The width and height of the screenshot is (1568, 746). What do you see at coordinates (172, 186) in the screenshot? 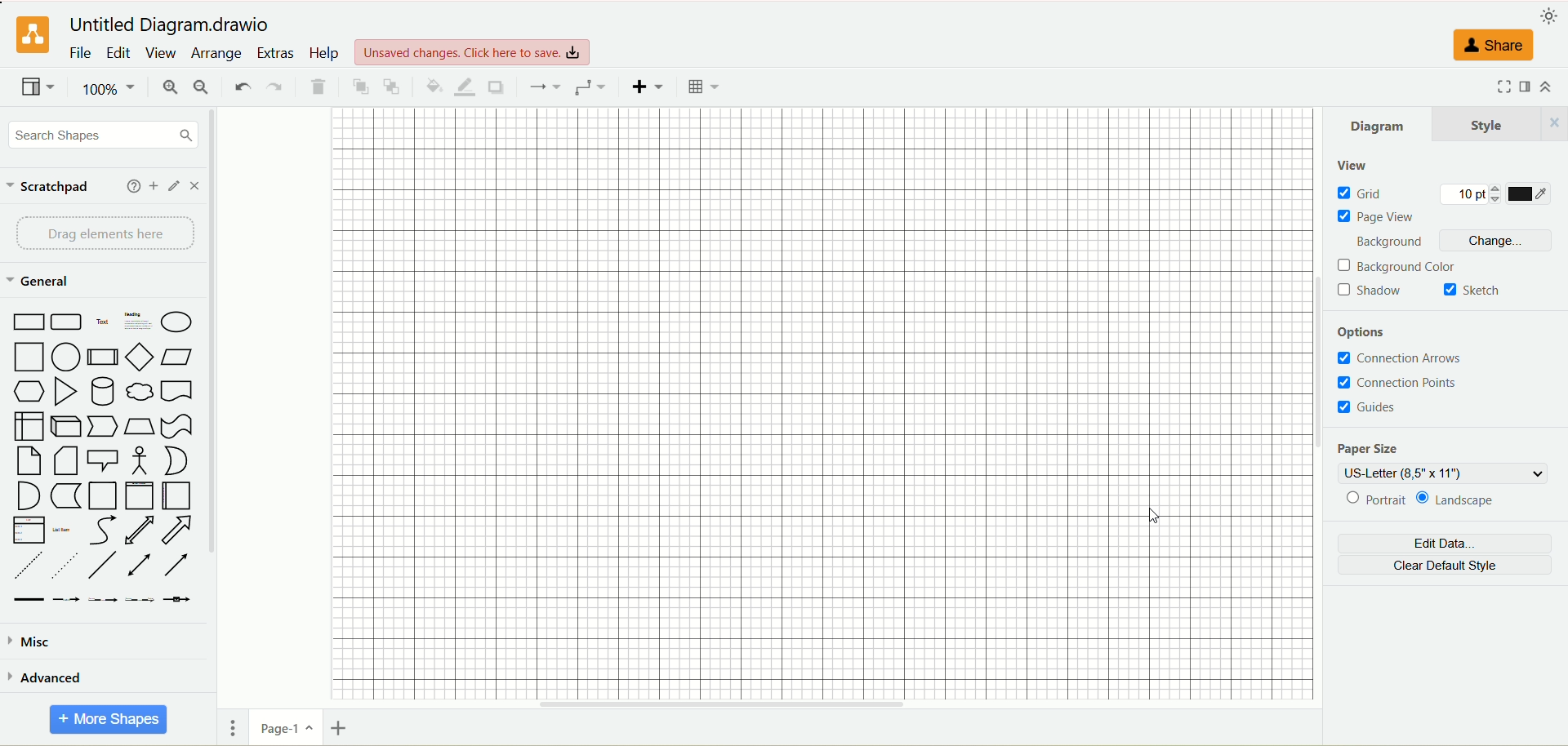
I see `edit` at bounding box center [172, 186].